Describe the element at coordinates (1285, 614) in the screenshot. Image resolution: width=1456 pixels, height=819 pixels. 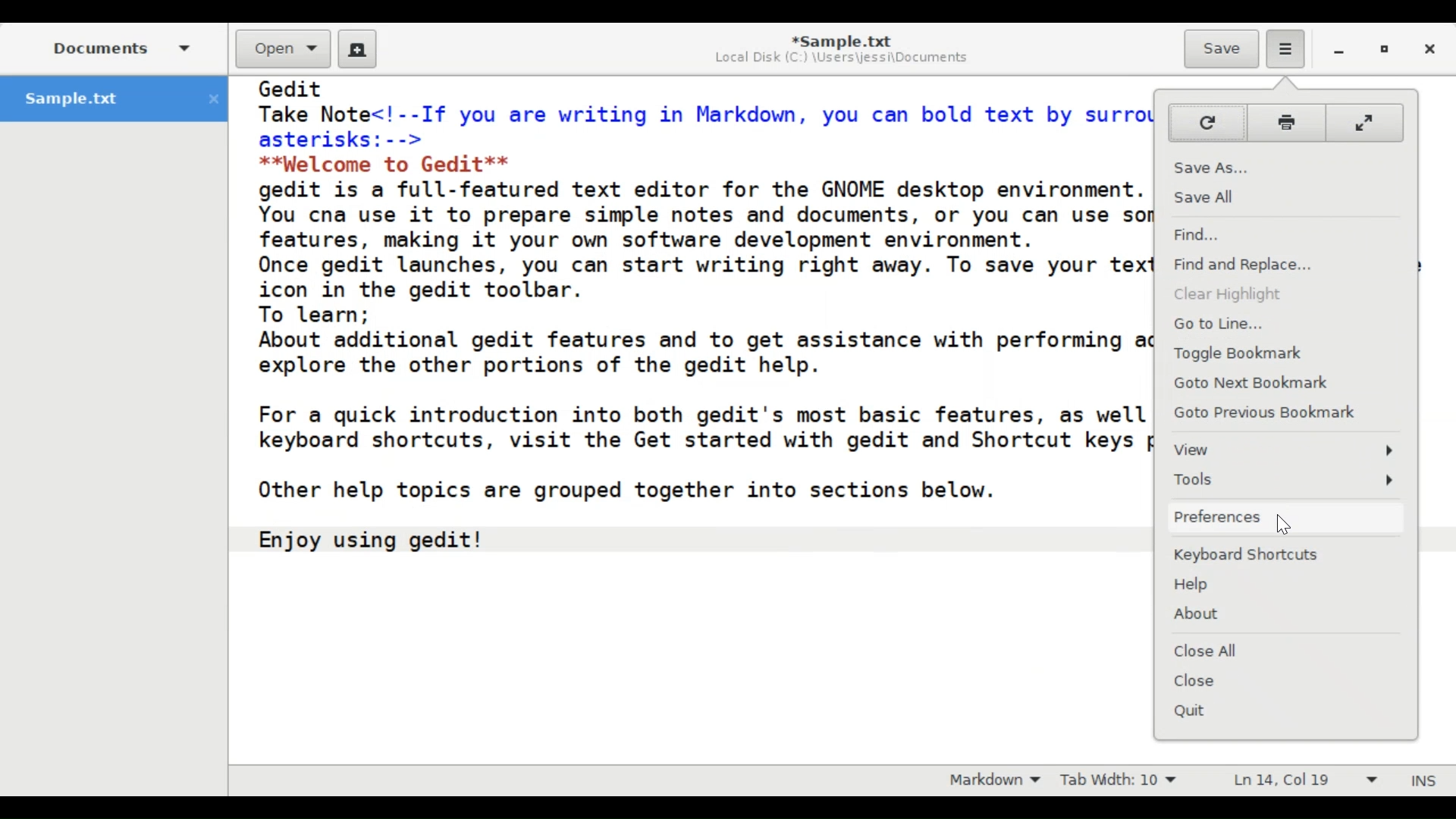
I see `About` at that location.